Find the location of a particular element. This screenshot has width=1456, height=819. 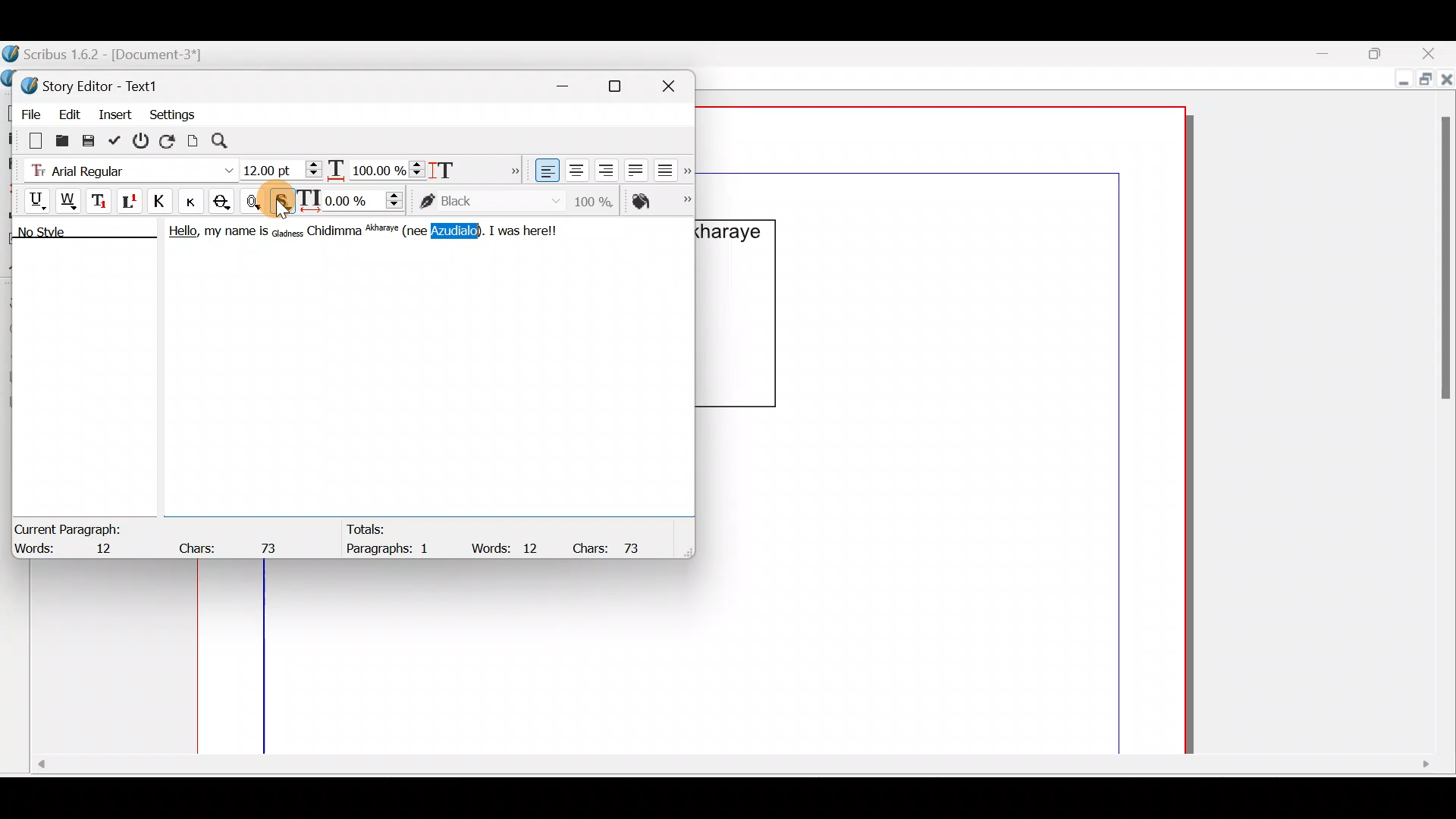

Insert  is located at coordinates (116, 113).